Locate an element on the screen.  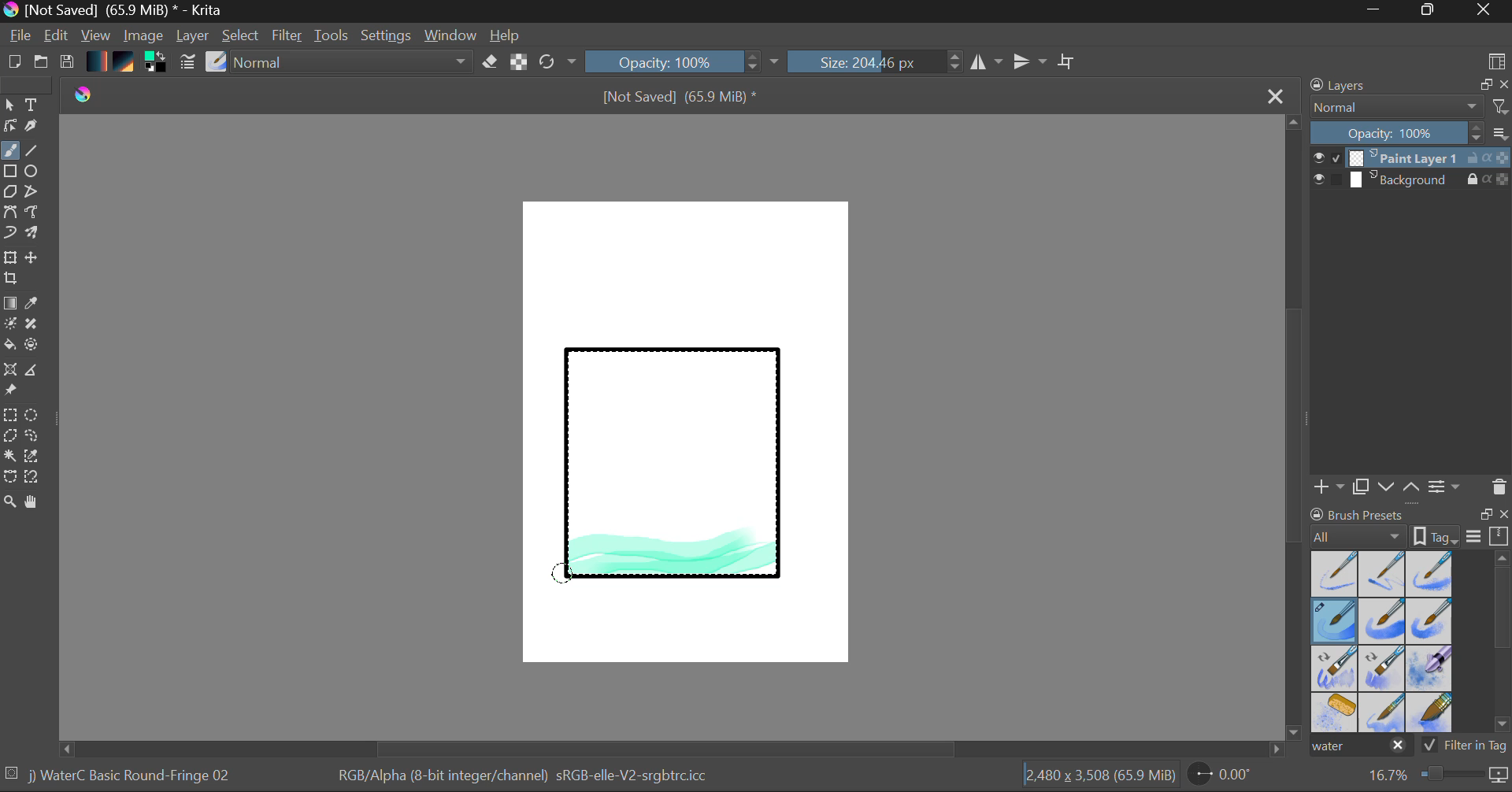
Freehand Path Tool is located at coordinates (31, 213).